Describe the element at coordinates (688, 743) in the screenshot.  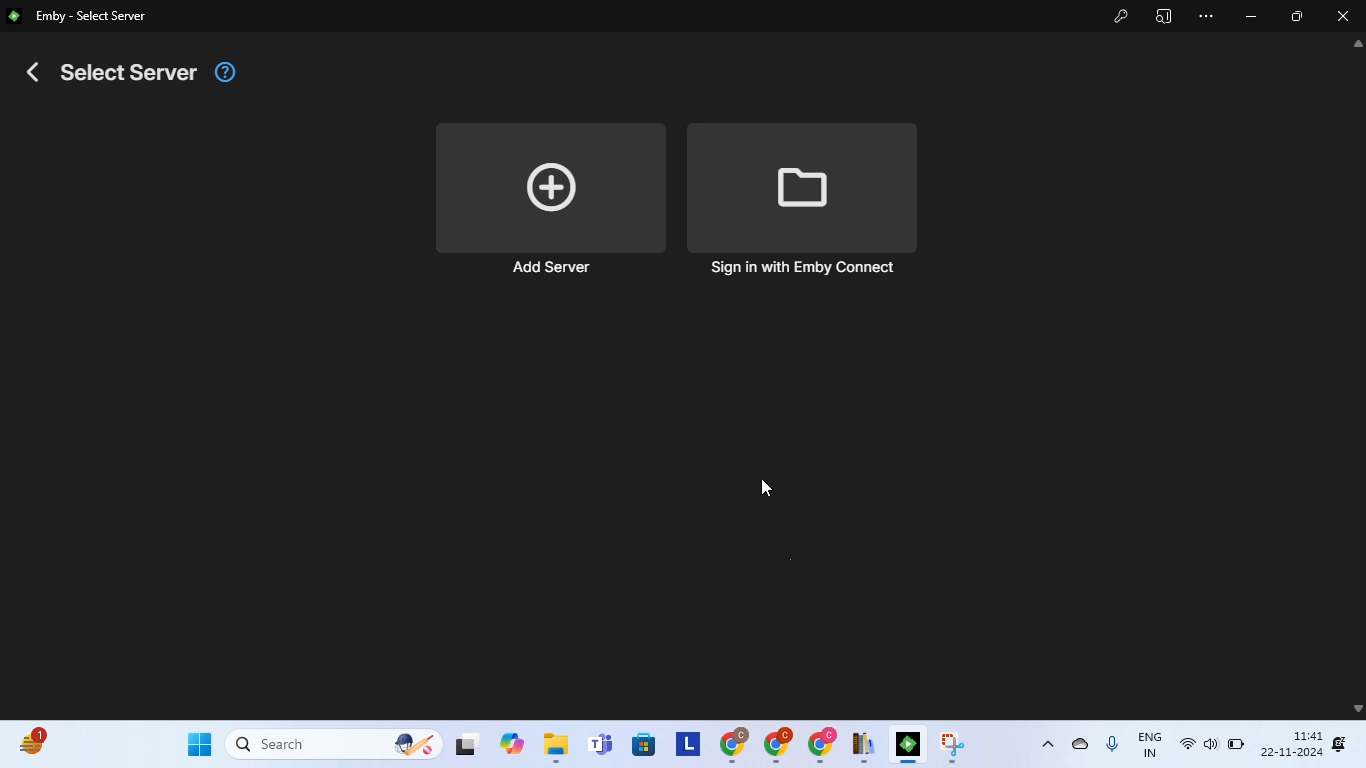
I see `L` at that location.